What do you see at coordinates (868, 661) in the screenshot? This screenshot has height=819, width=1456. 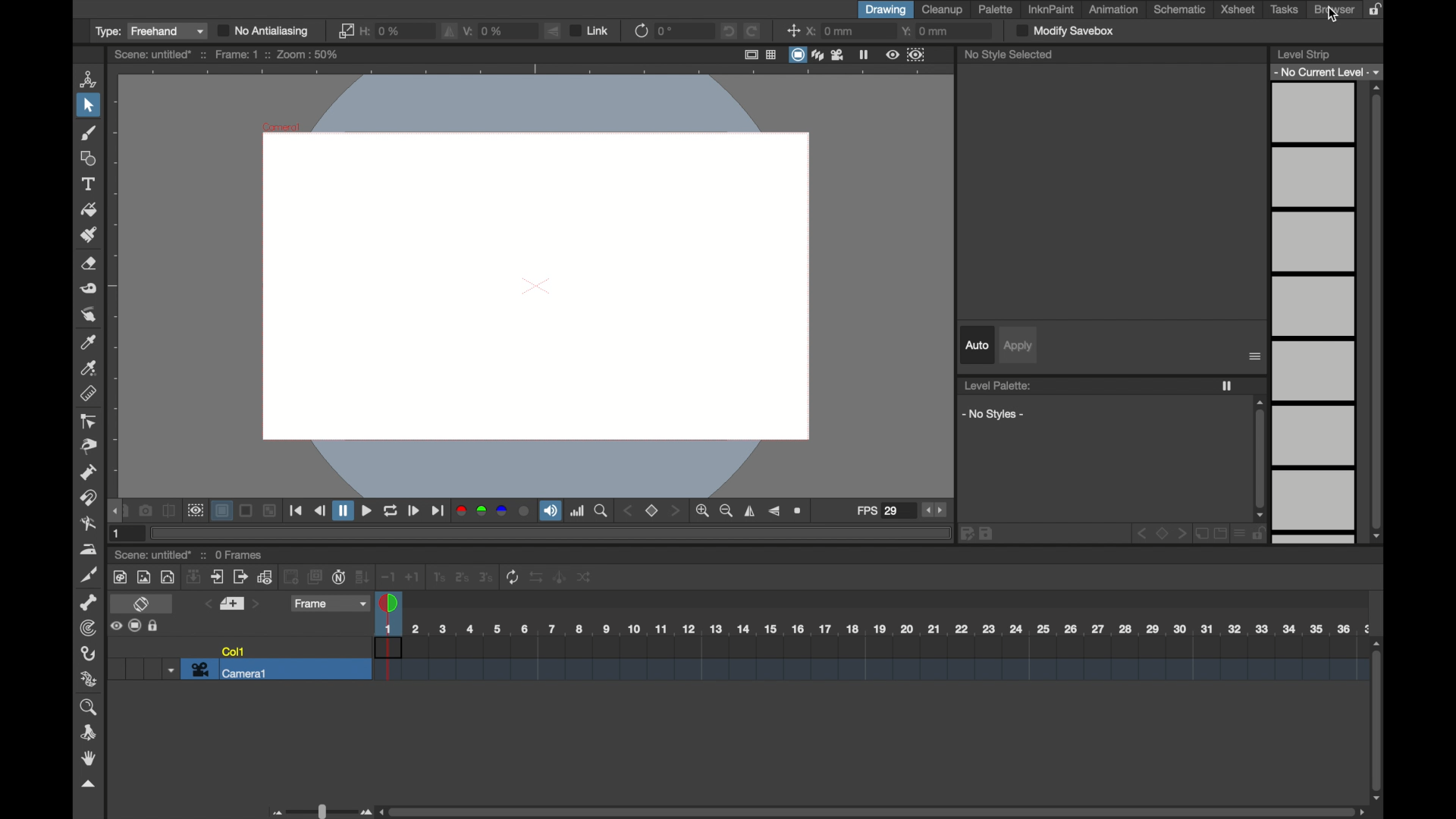 I see `scene` at bounding box center [868, 661].